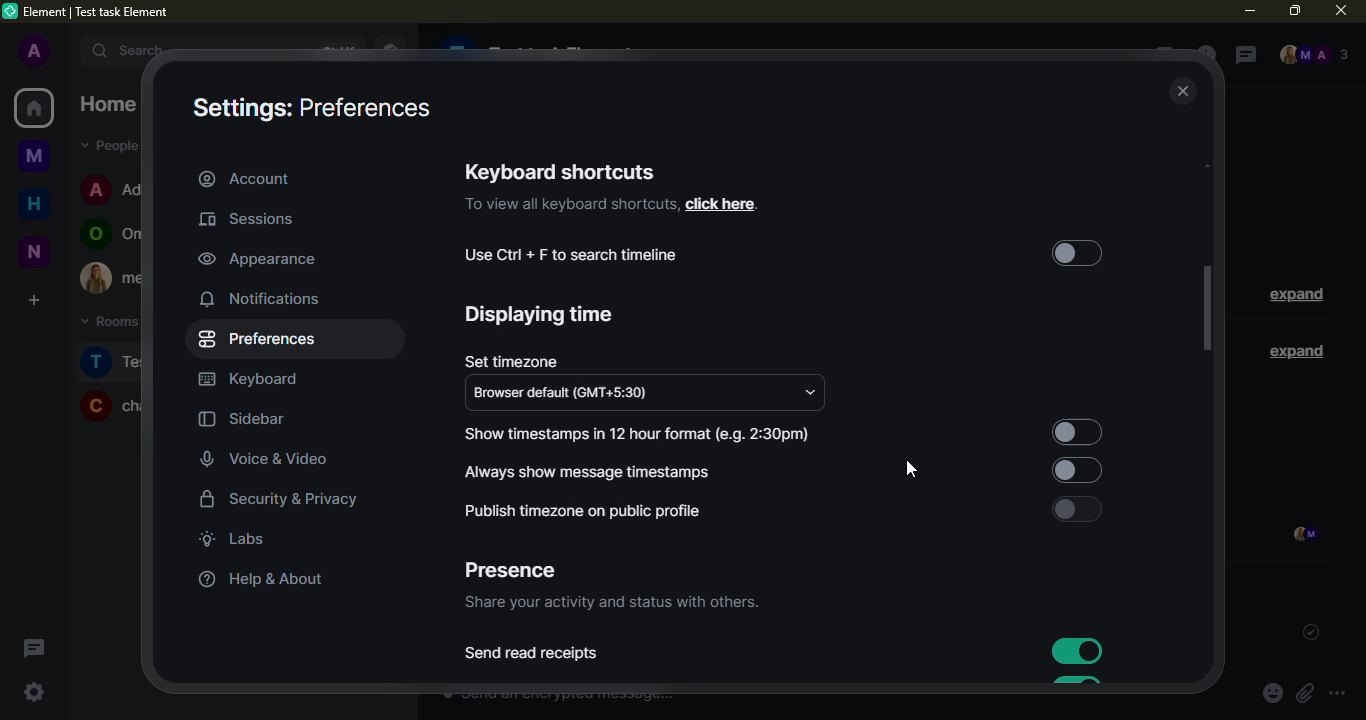 Image resolution: width=1366 pixels, height=720 pixels. What do you see at coordinates (35, 201) in the screenshot?
I see `home` at bounding box center [35, 201].